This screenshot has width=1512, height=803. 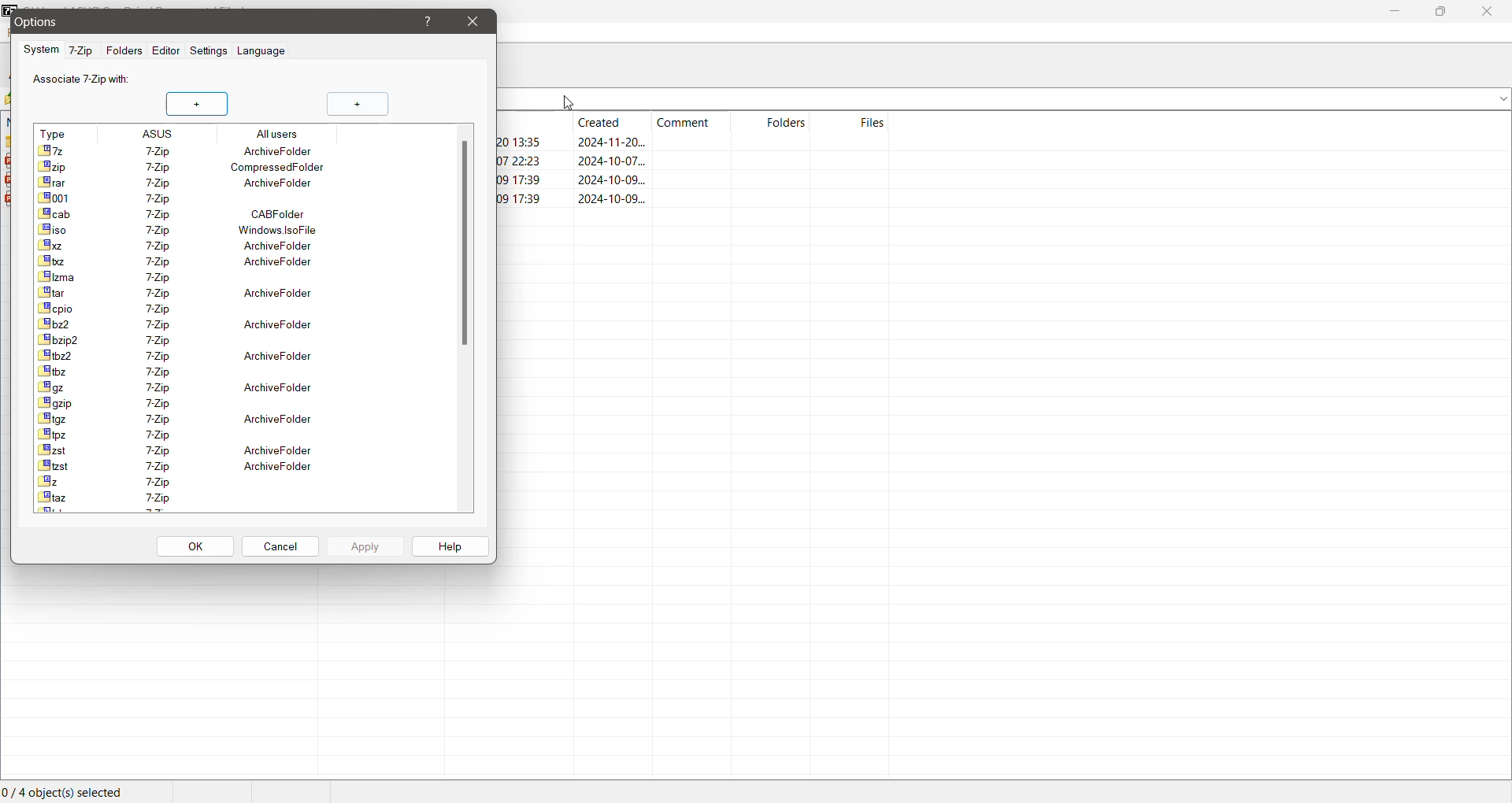 I want to click on OK, so click(x=192, y=546).